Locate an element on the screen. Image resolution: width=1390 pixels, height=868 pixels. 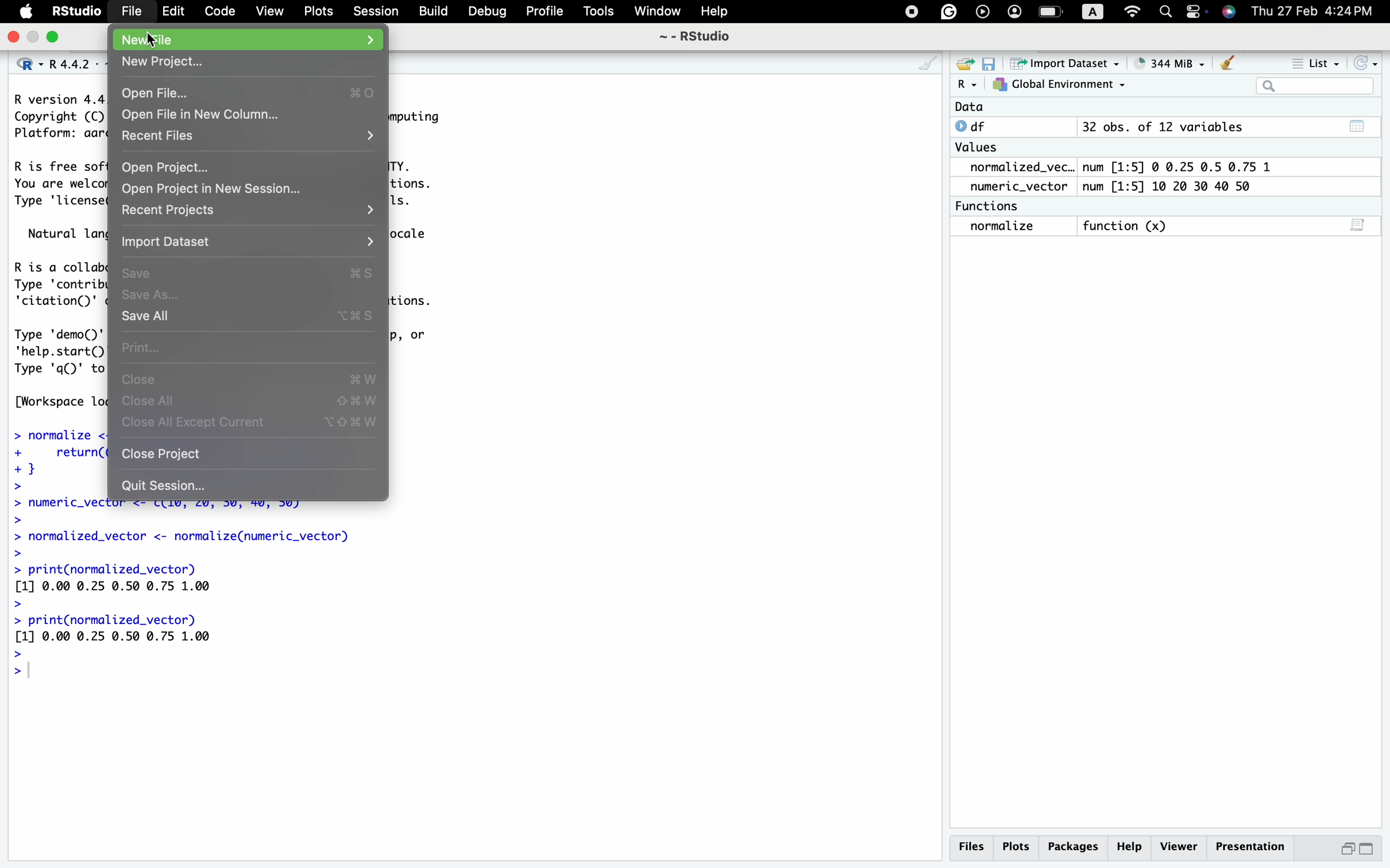
Viewer is located at coordinates (1179, 847).